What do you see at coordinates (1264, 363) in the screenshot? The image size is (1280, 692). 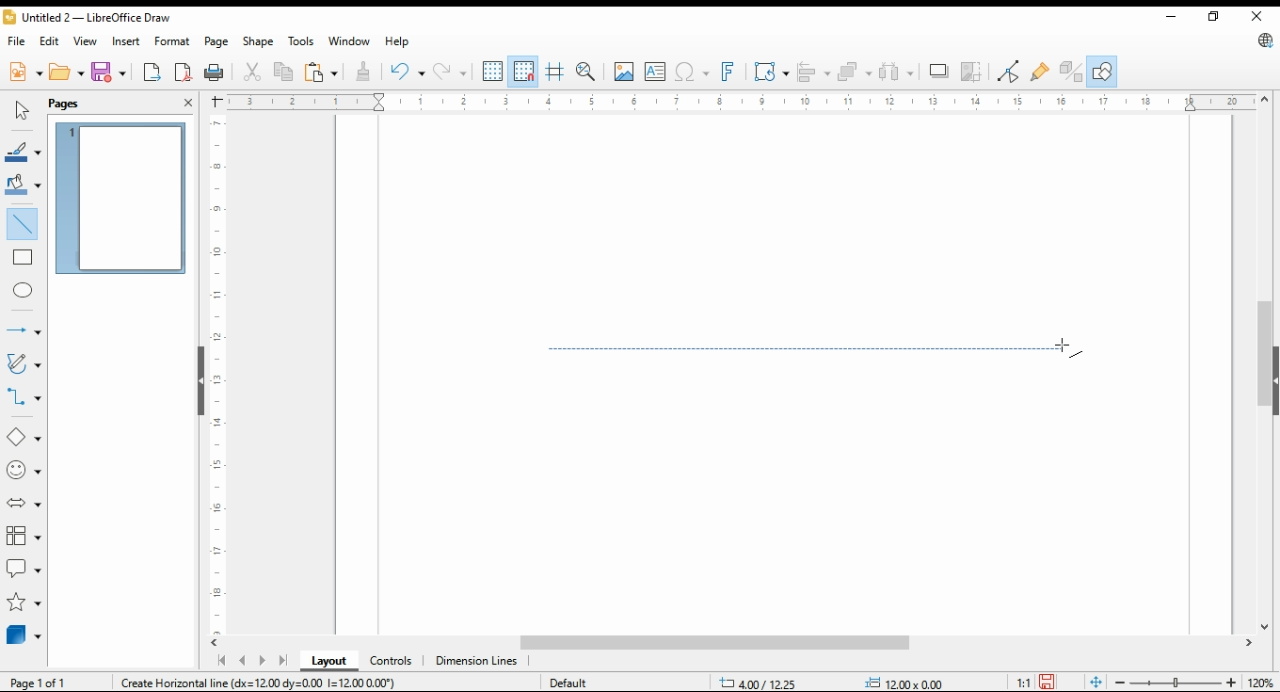 I see `scroll bar` at bounding box center [1264, 363].